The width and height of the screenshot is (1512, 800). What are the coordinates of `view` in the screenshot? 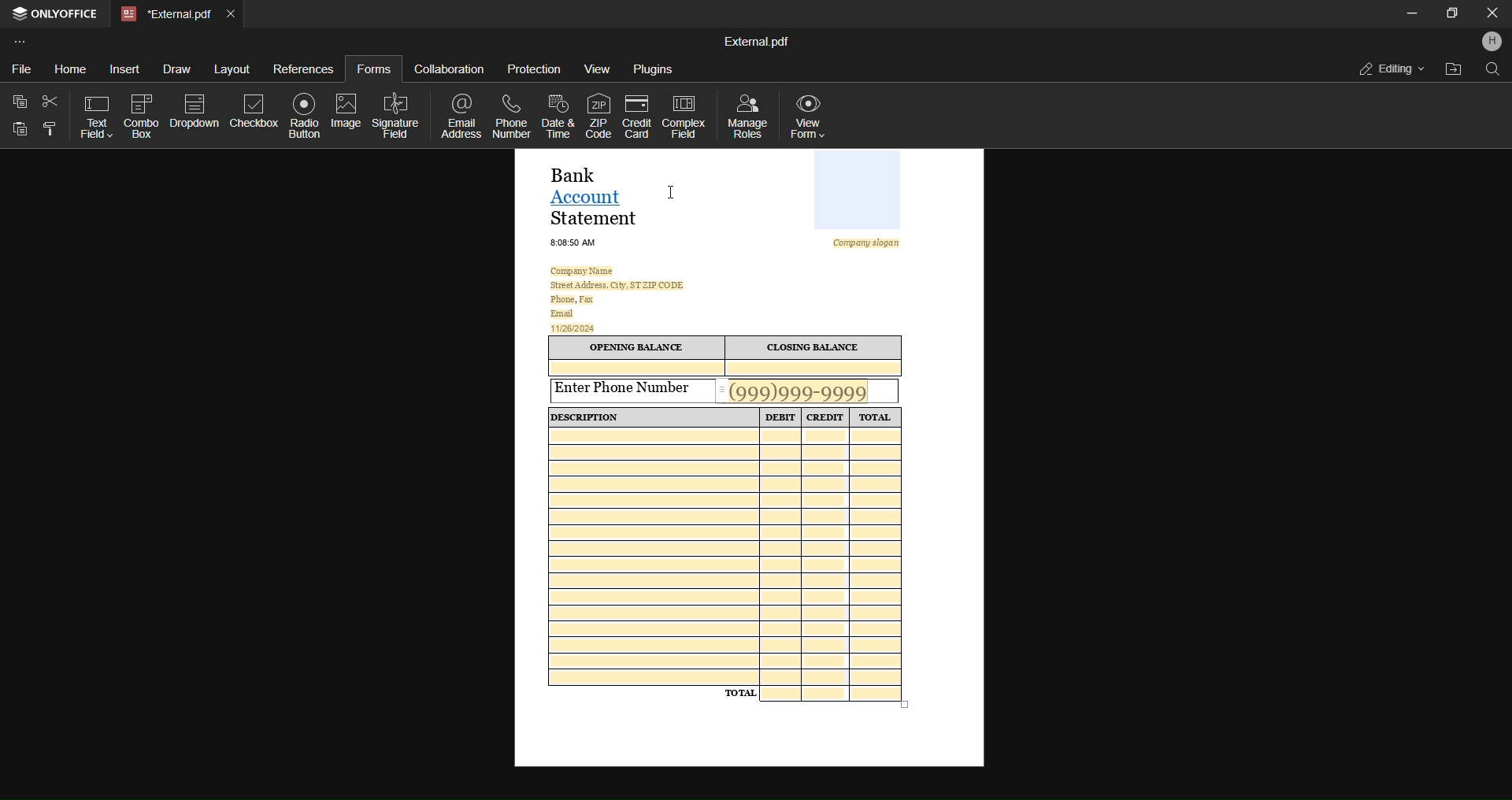 It's located at (596, 71).